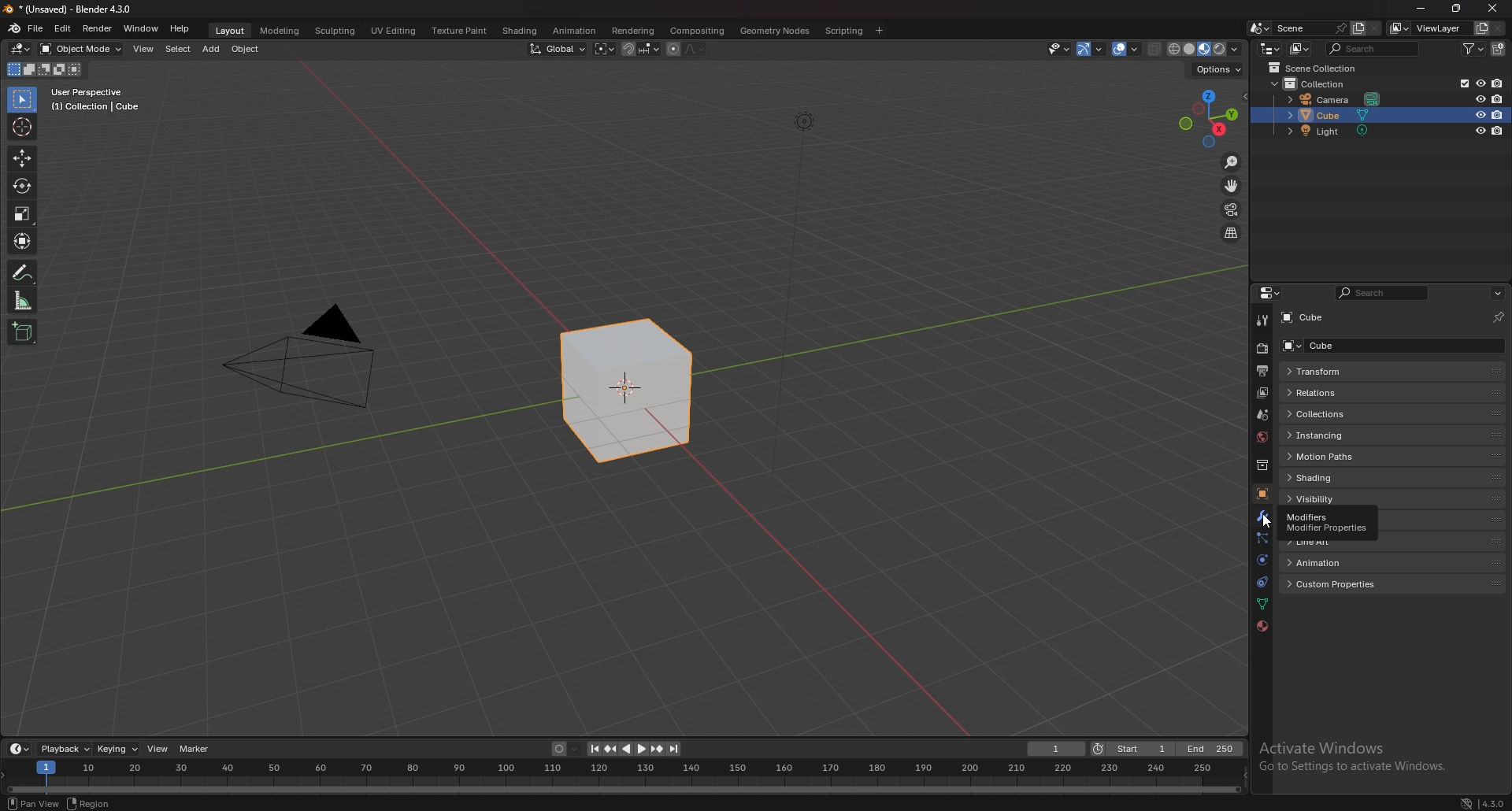 Image resolution: width=1512 pixels, height=811 pixels. I want to click on display mode, so click(1299, 48).